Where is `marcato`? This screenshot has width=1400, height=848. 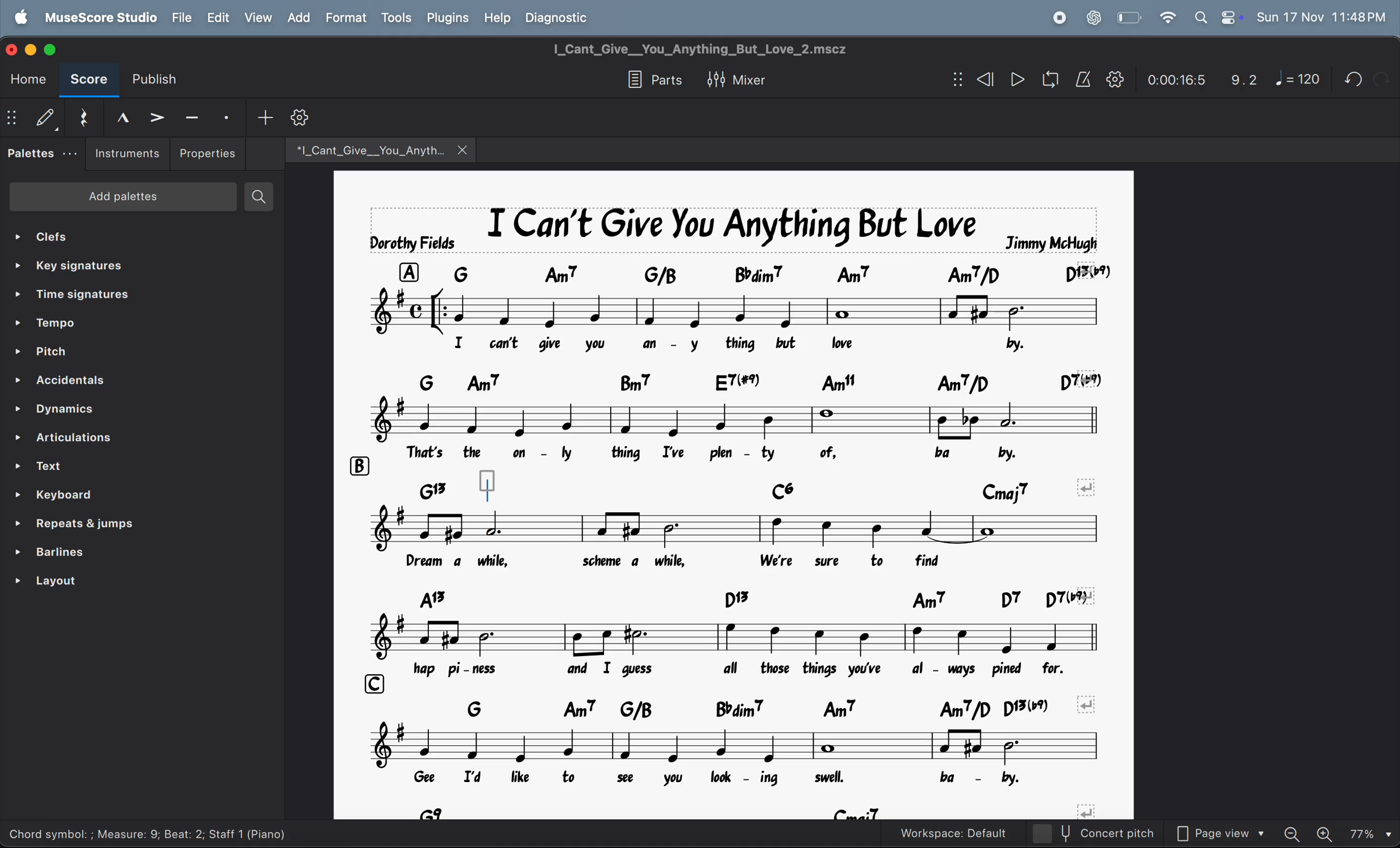 marcato is located at coordinates (121, 116).